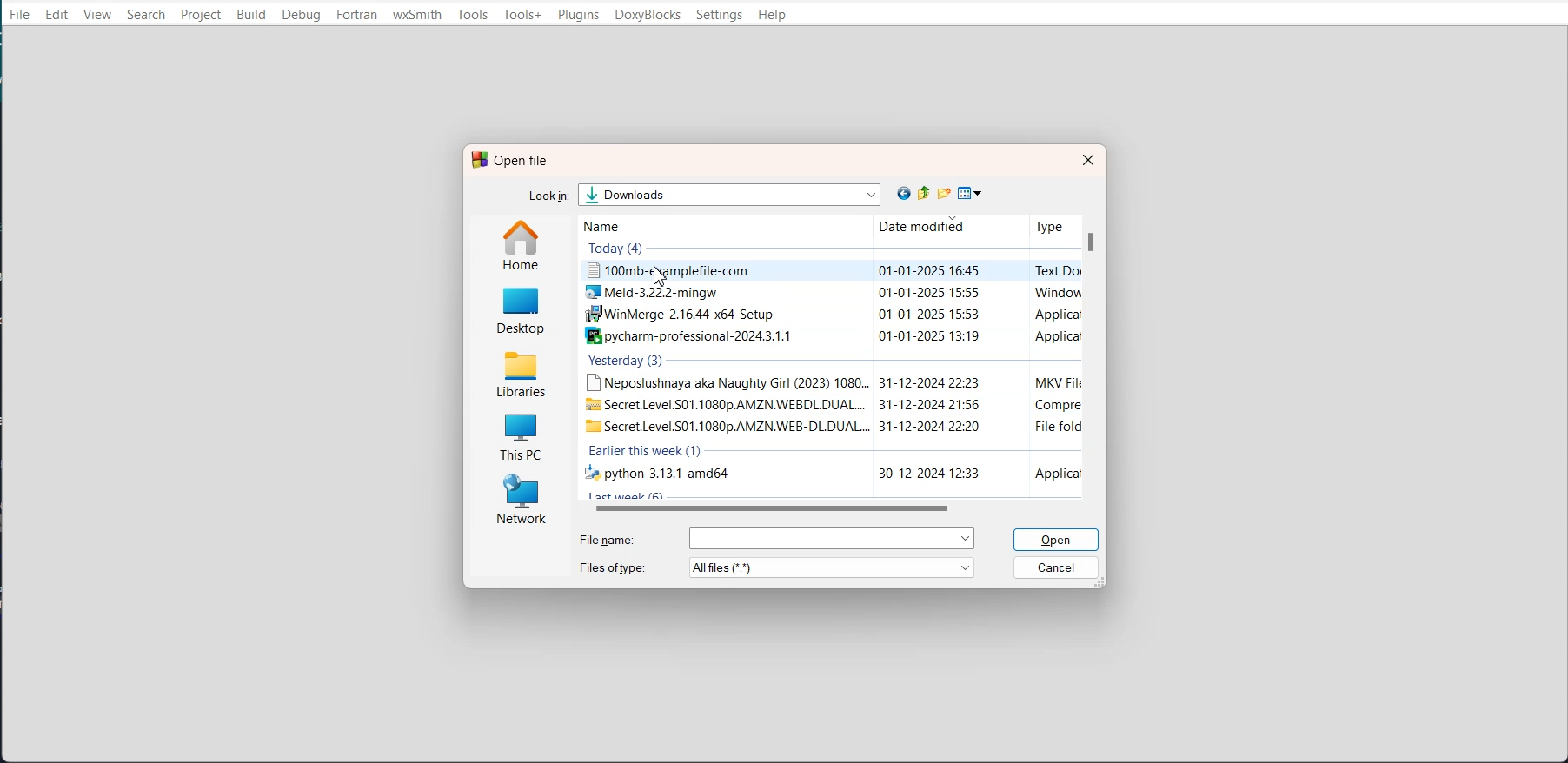 This screenshot has width=1568, height=763. I want to click on Text, so click(510, 160).